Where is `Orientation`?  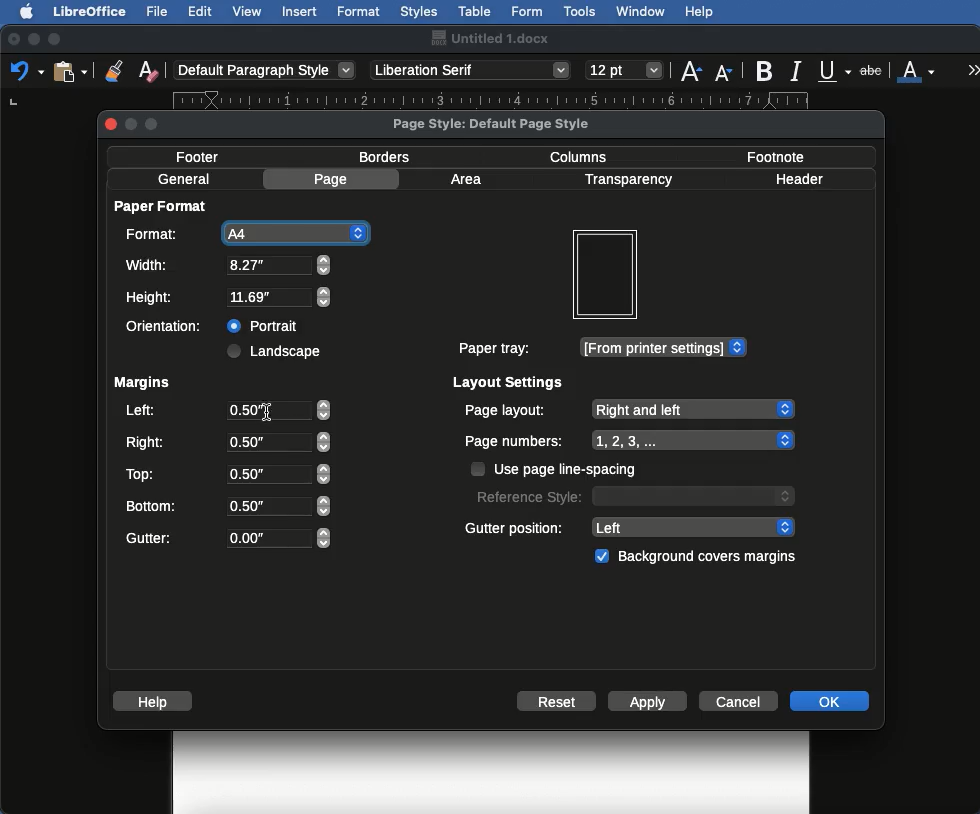
Orientation is located at coordinates (168, 326).